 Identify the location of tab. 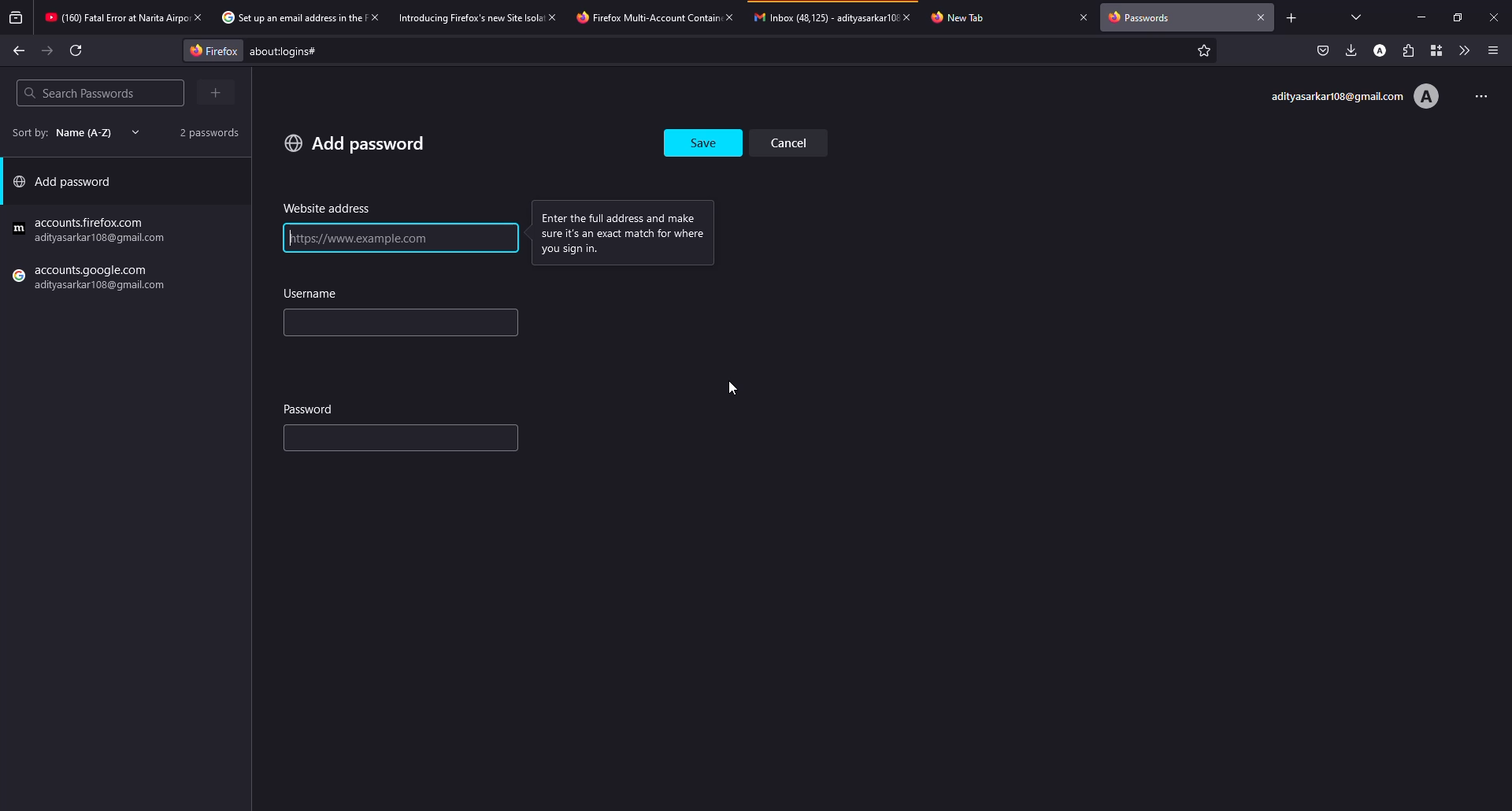
(644, 17).